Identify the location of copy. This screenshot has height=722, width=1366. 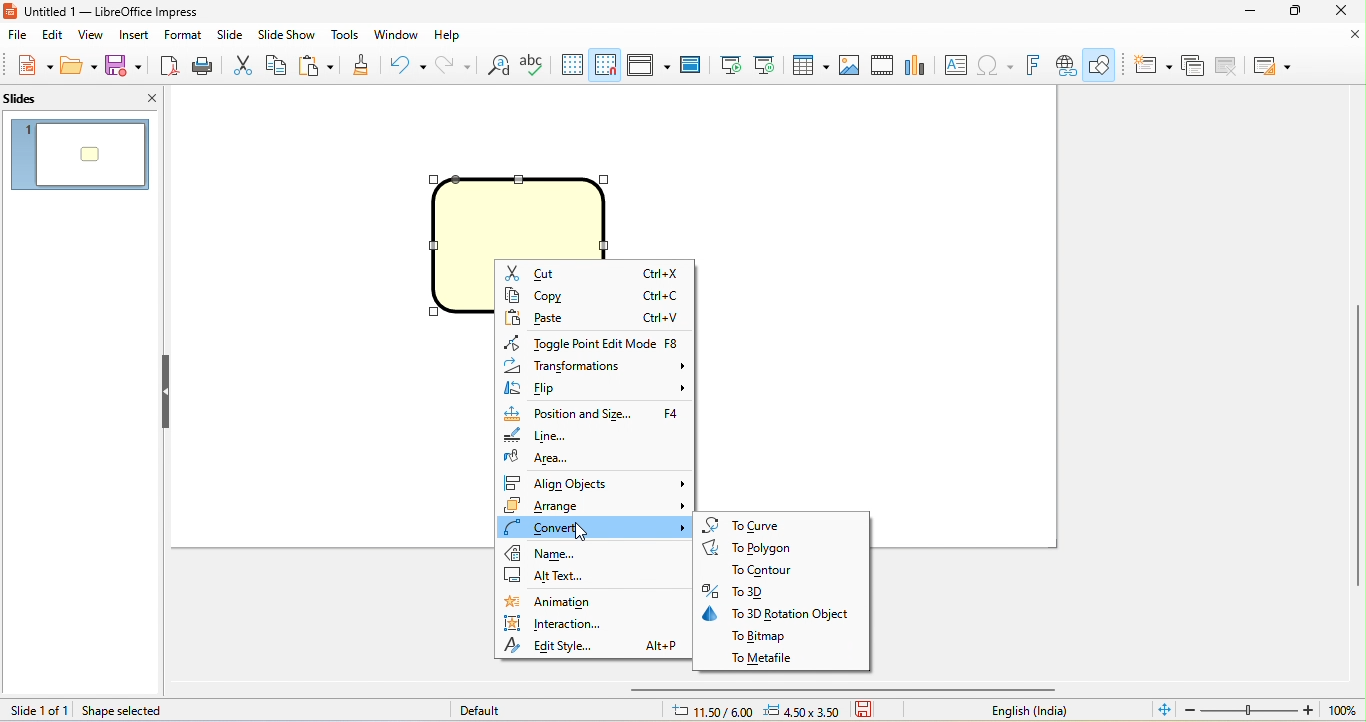
(276, 64).